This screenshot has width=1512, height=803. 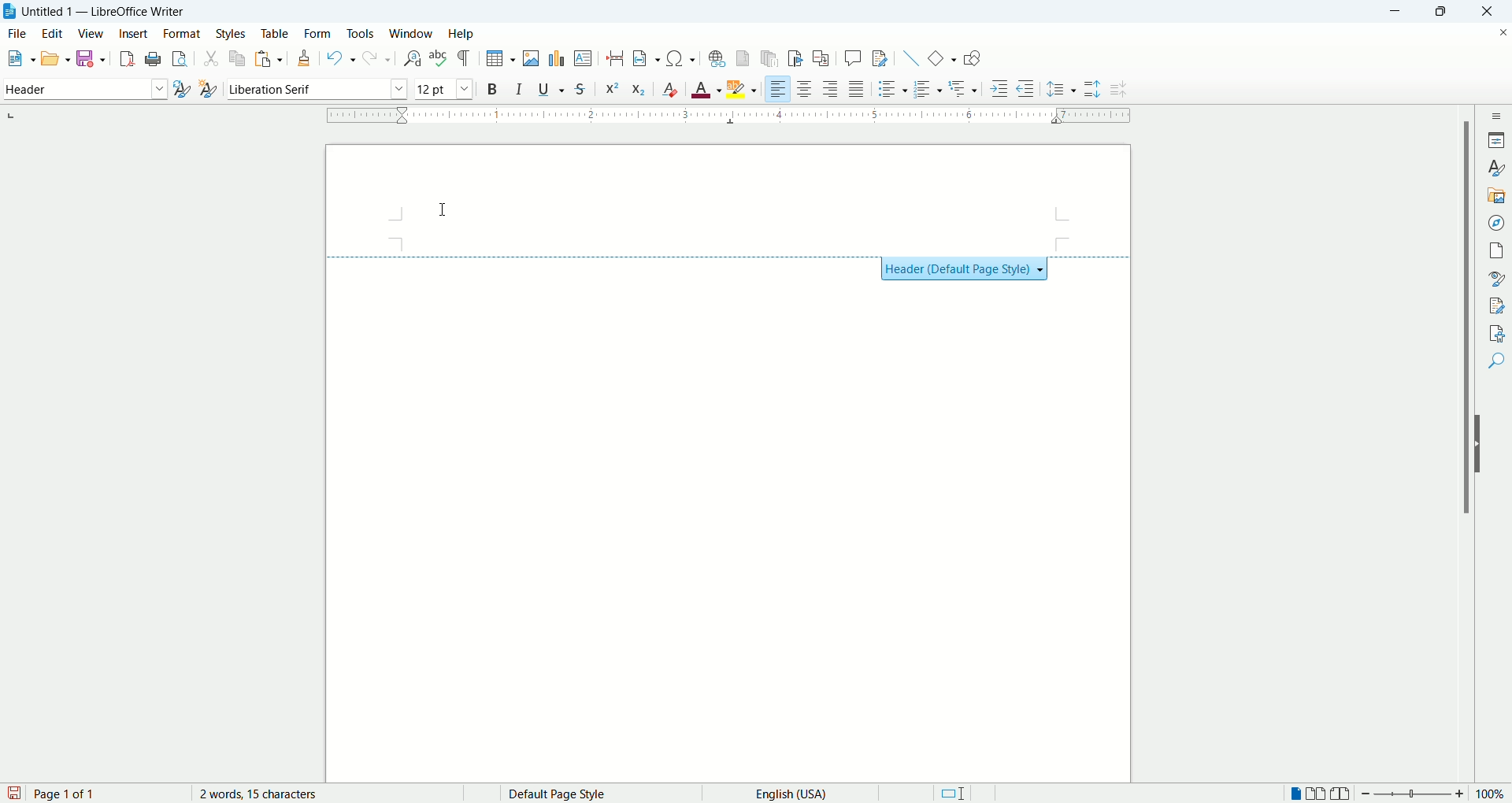 What do you see at coordinates (1499, 117) in the screenshot?
I see `sidebar settings` at bounding box center [1499, 117].